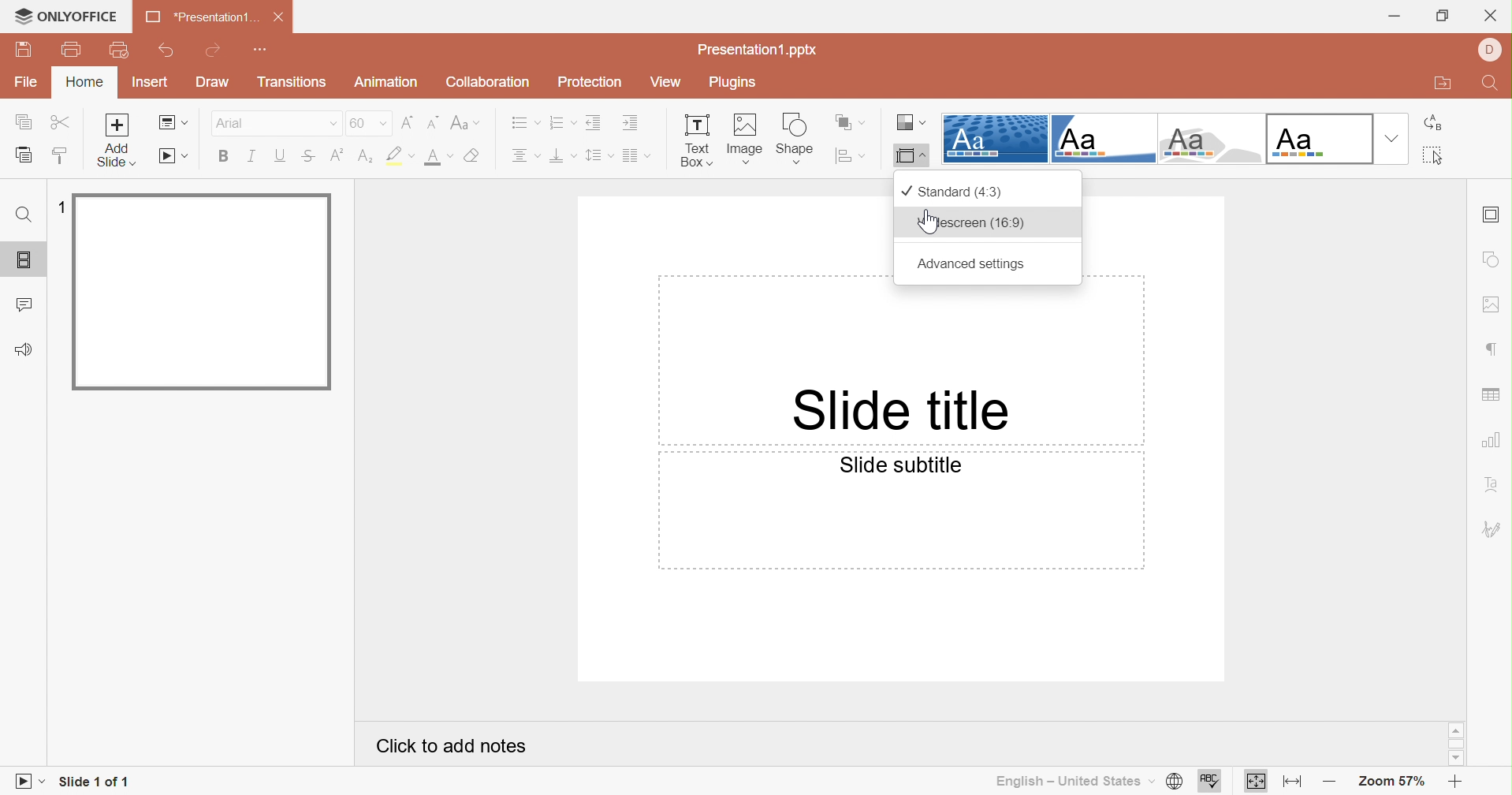  Describe the element at coordinates (365, 156) in the screenshot. I see `Subscript` at that location.